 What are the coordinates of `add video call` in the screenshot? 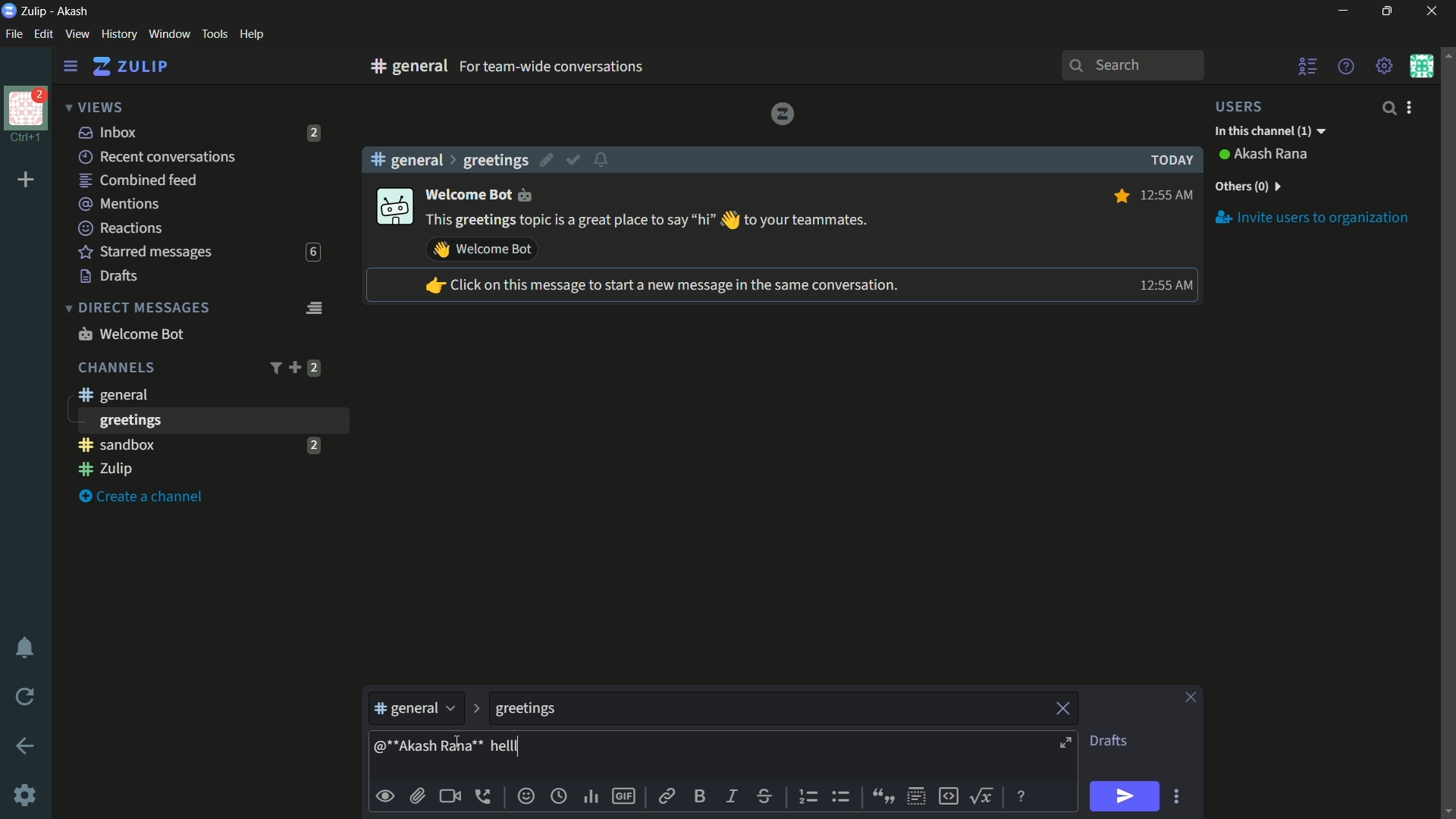 It's located at (450, 796).